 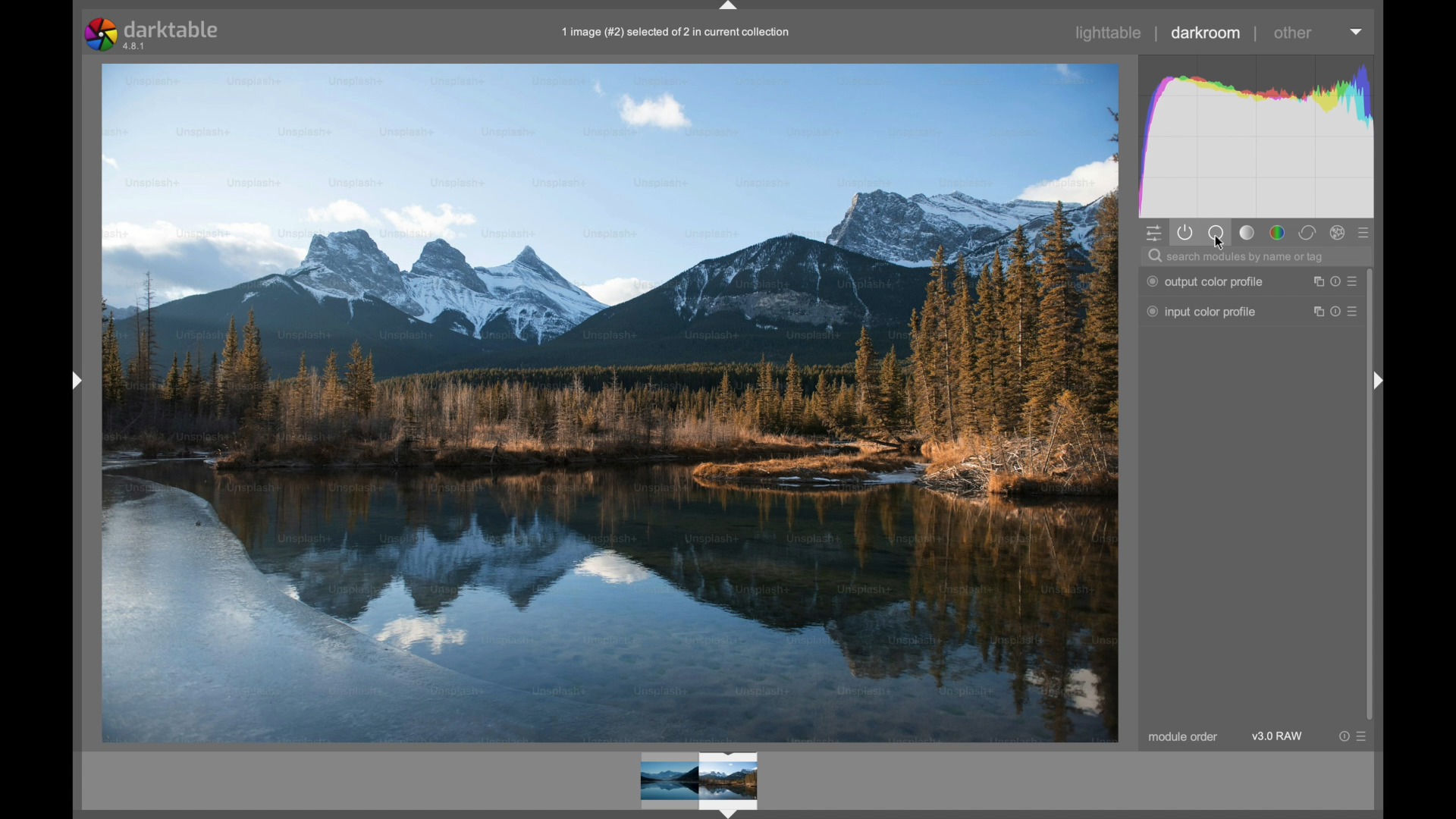 What do you see at coordinates (1248, 232) in the screenshot?
I see `tone` at bounding box center [1248, 232].